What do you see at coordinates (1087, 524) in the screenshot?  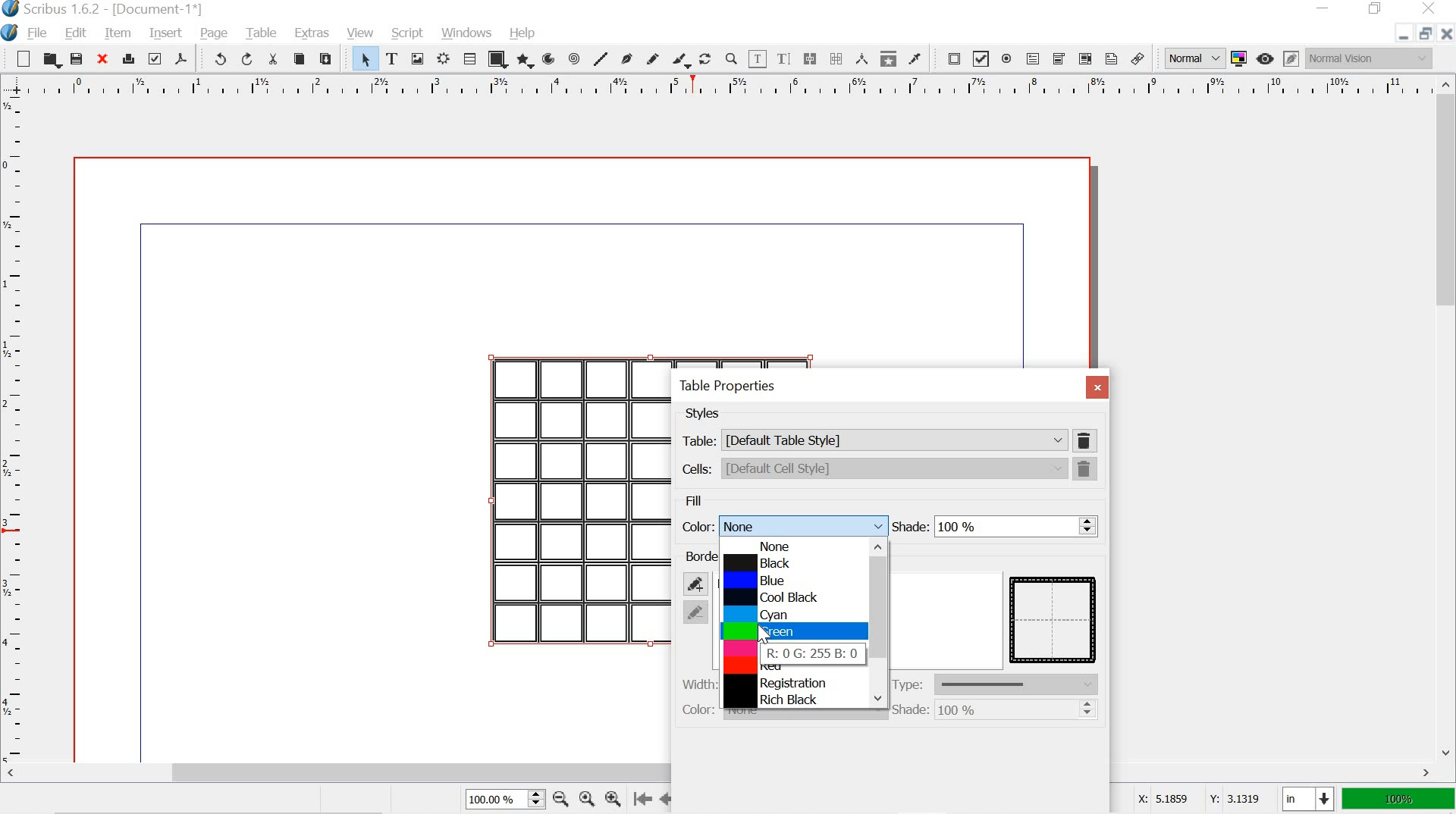 I see `shades change` at bounding box center [1087, 524].